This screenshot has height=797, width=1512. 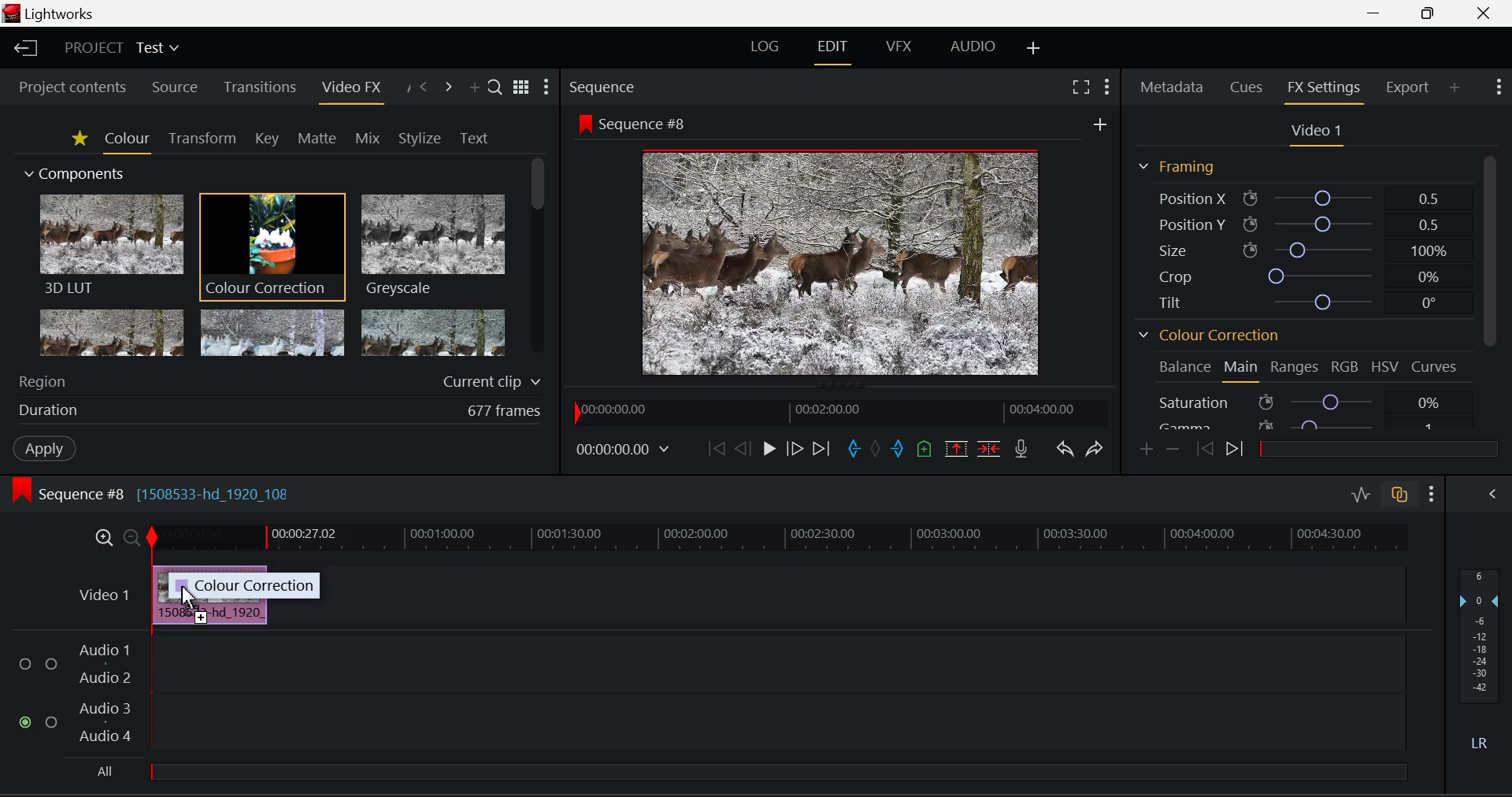 I want to click on Toggle Auto Track Sync, so click(x=1399, y=496).